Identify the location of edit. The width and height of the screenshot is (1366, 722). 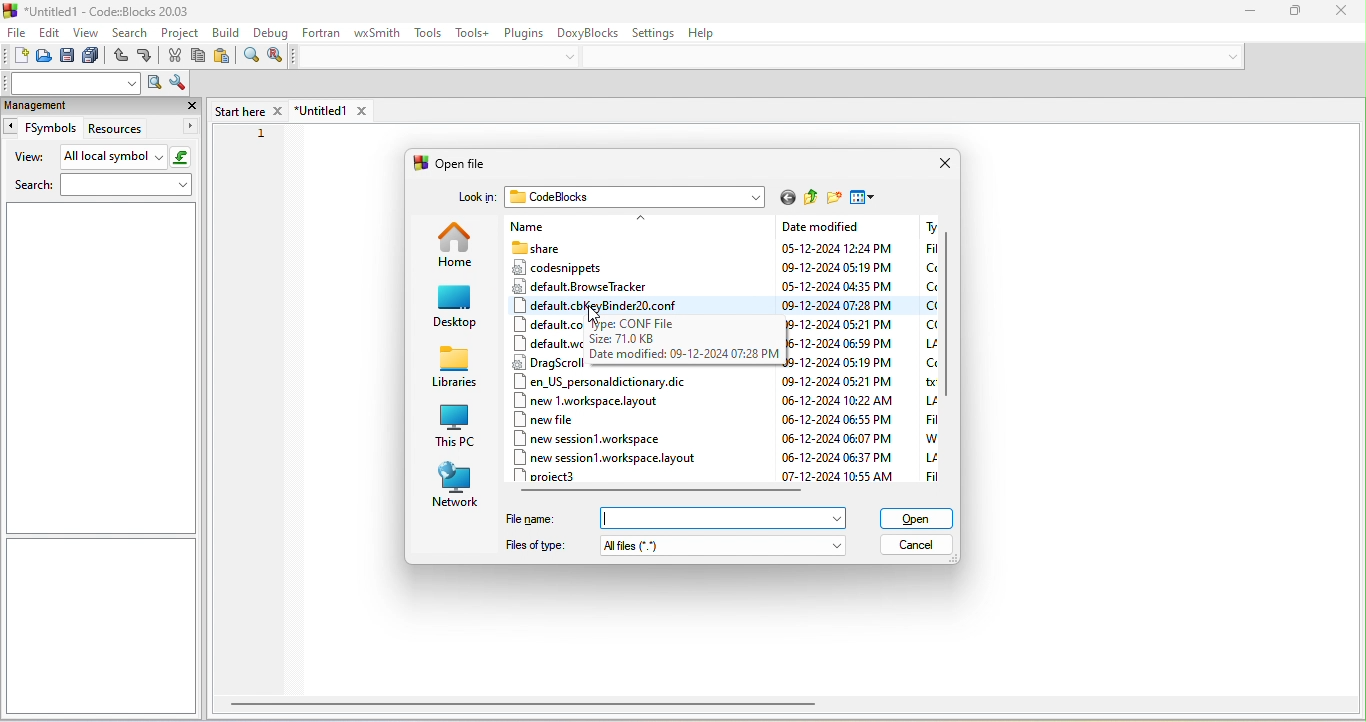
(50, 32).